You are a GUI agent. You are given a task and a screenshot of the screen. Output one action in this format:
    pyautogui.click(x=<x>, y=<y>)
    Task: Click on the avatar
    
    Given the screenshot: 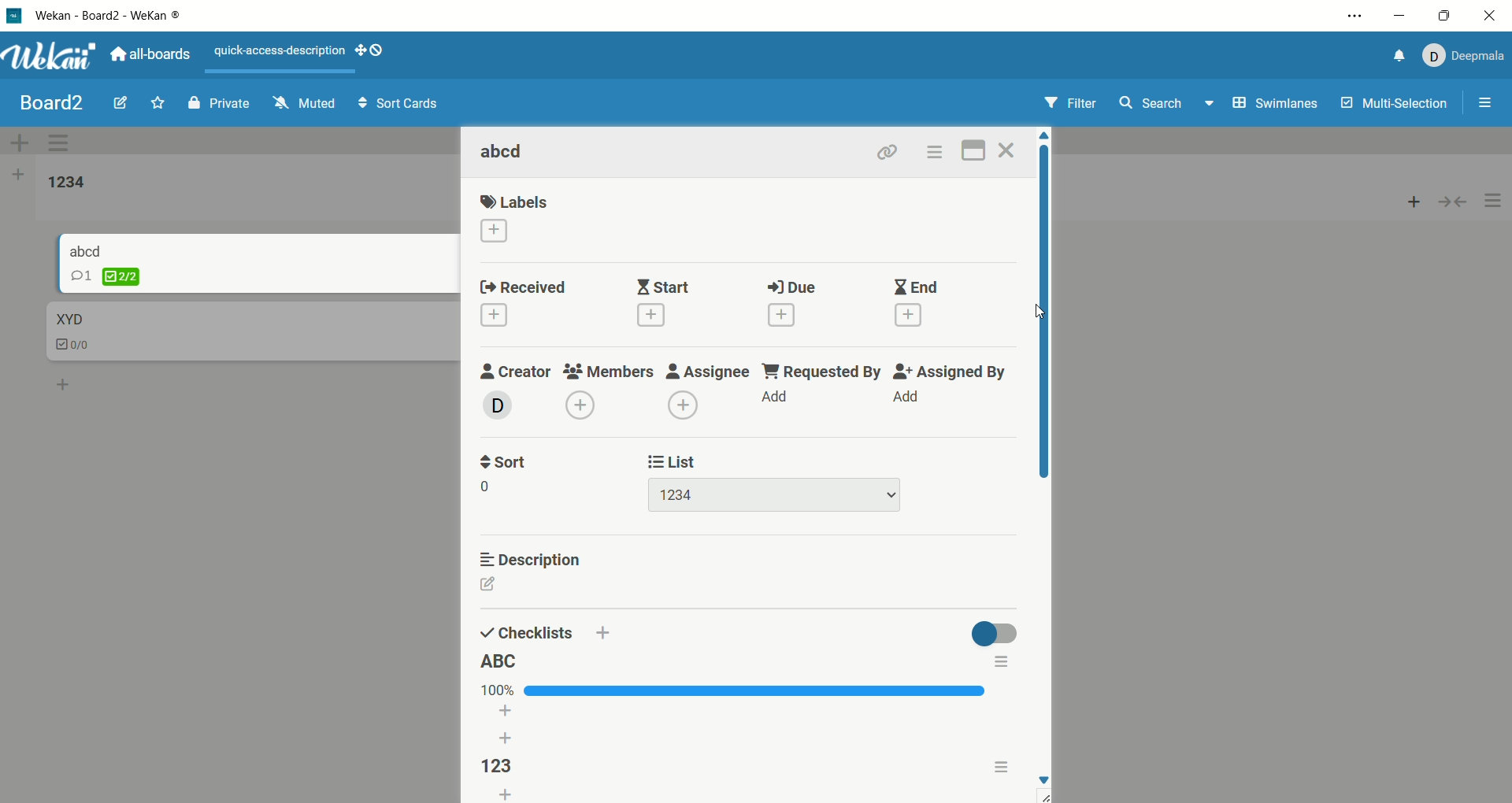 What is the action you would take?
    pyautogui.click(x=498, y=405)
    